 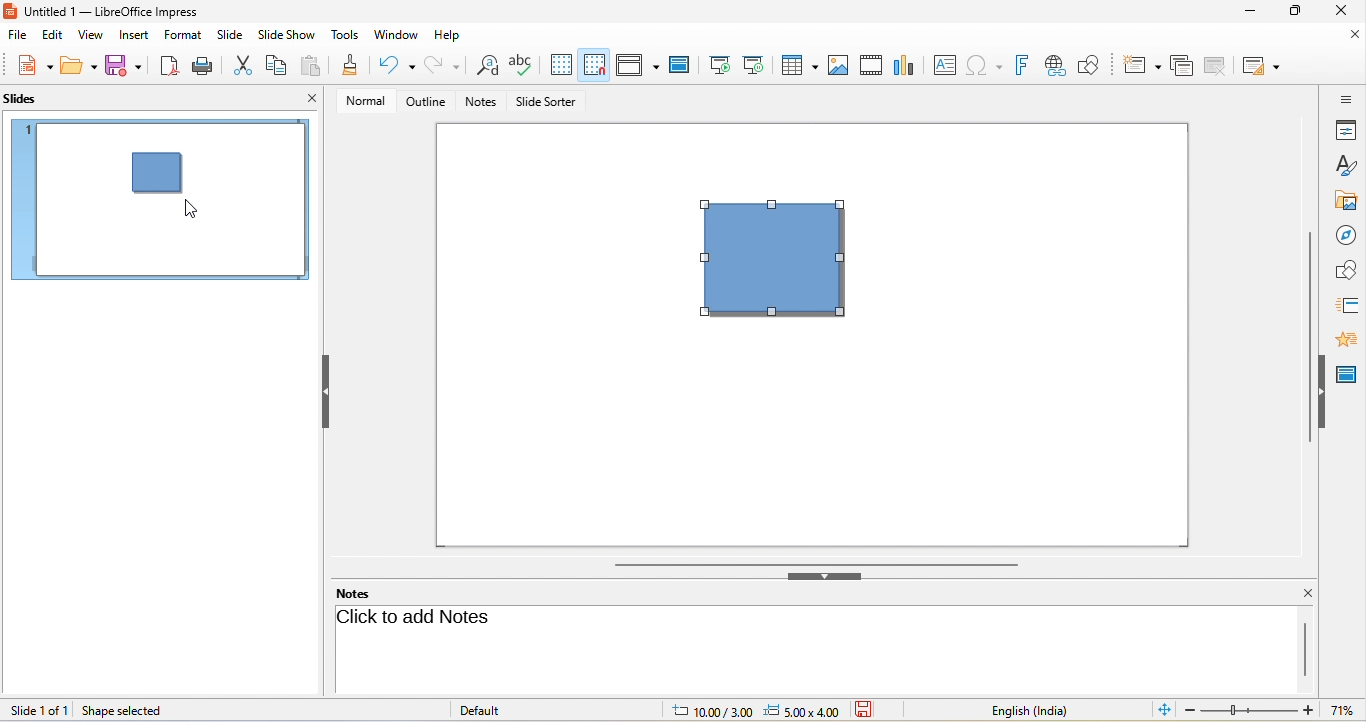 What do you see at coordinates (366, 101) in the screenshot?
I see `normal` at bounding box center [366, 101].